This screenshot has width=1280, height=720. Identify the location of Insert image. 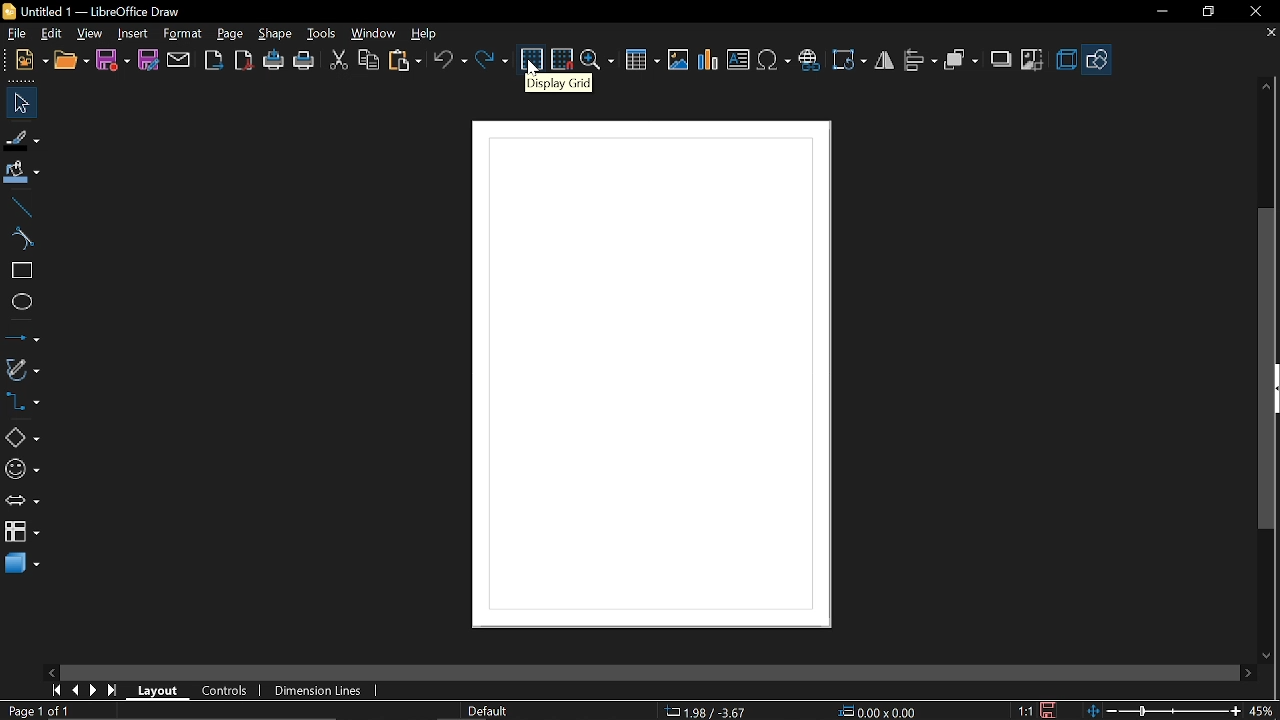
(678, 61).